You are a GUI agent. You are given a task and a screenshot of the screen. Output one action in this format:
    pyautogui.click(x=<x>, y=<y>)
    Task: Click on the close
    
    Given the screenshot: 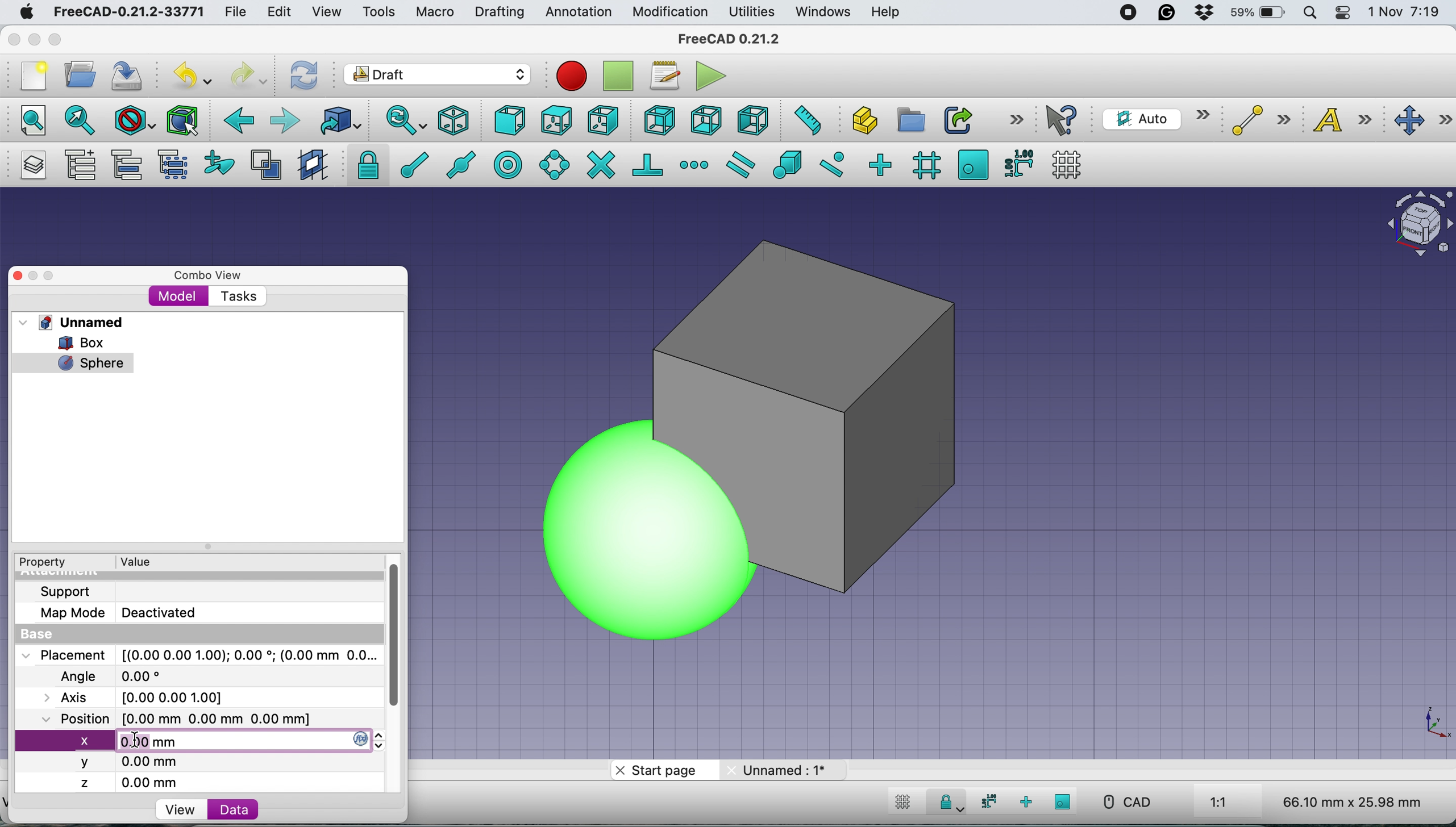 What is the action you would take?
    pyautogui.click(x=14, y=36)
    